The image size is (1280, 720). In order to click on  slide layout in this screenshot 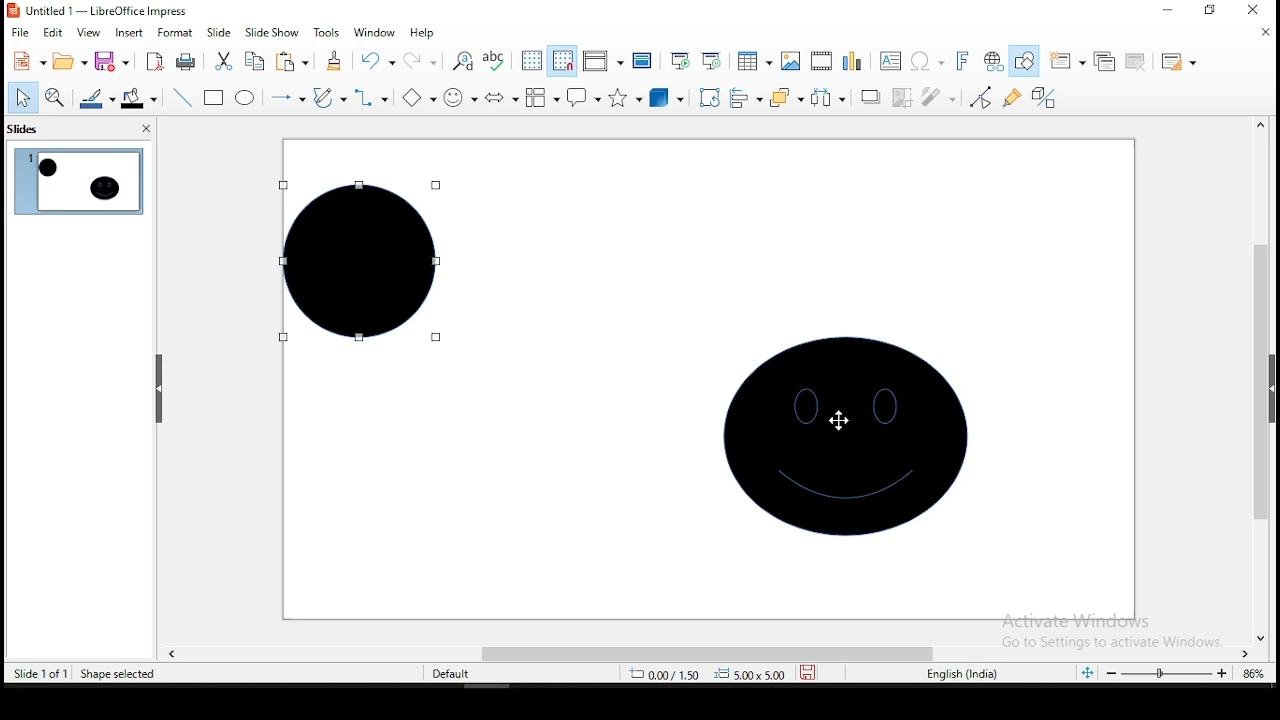, I will do `click(1178, 63)`.